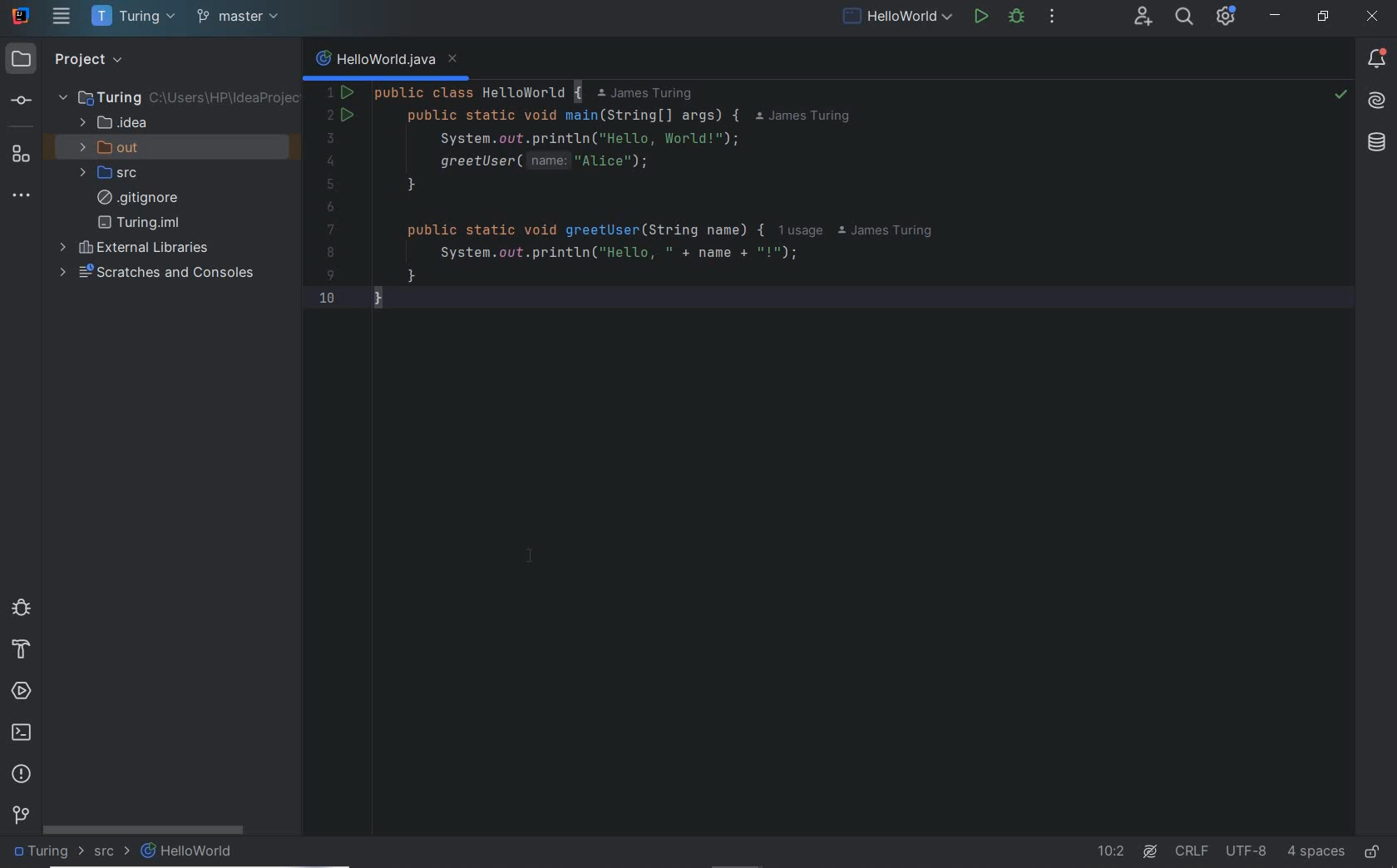  I want to click on structure, so click(20, 153).